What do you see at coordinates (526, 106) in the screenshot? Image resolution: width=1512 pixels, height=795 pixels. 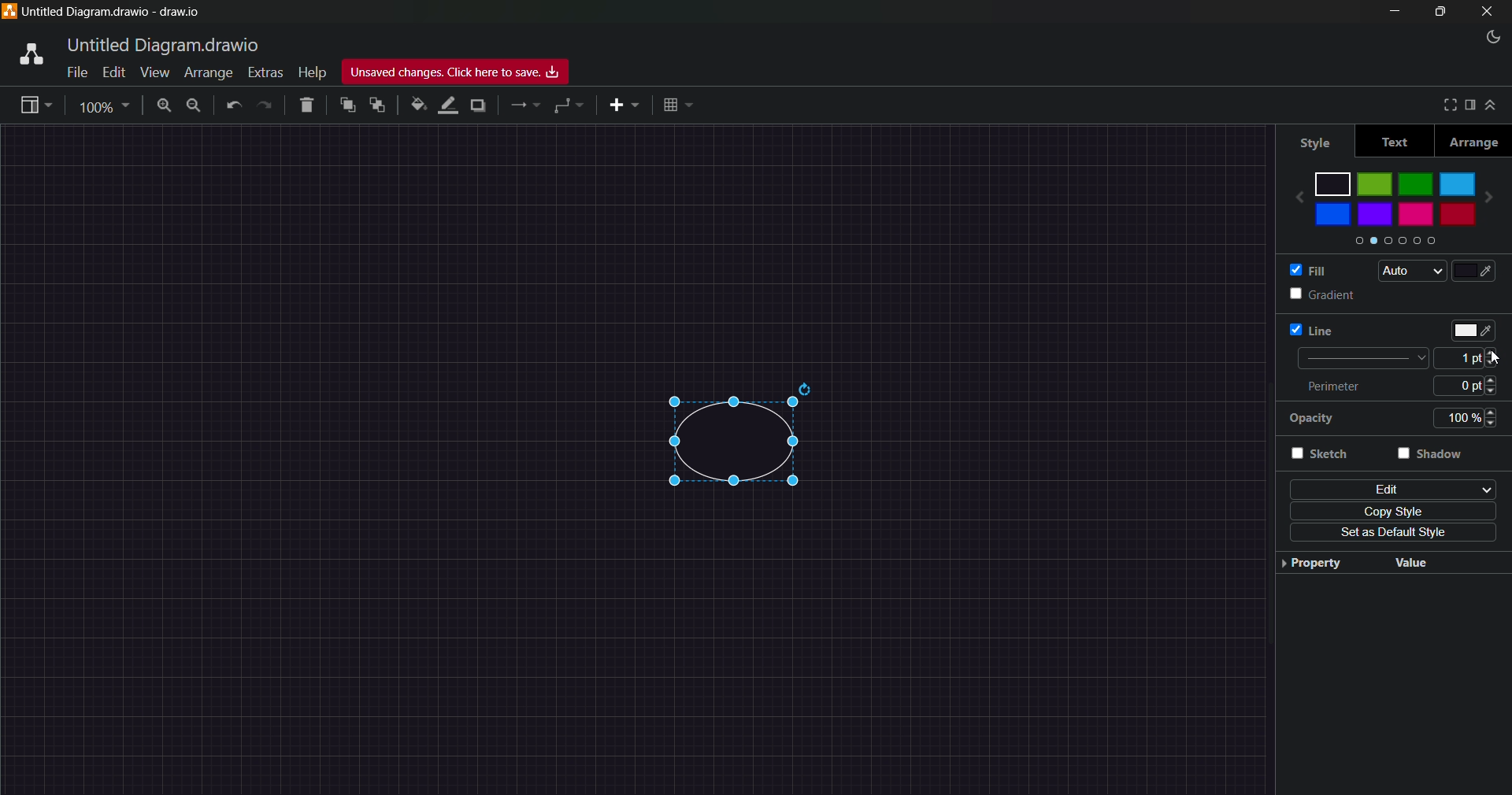 I see `connections` at bounding box center [526, 106].